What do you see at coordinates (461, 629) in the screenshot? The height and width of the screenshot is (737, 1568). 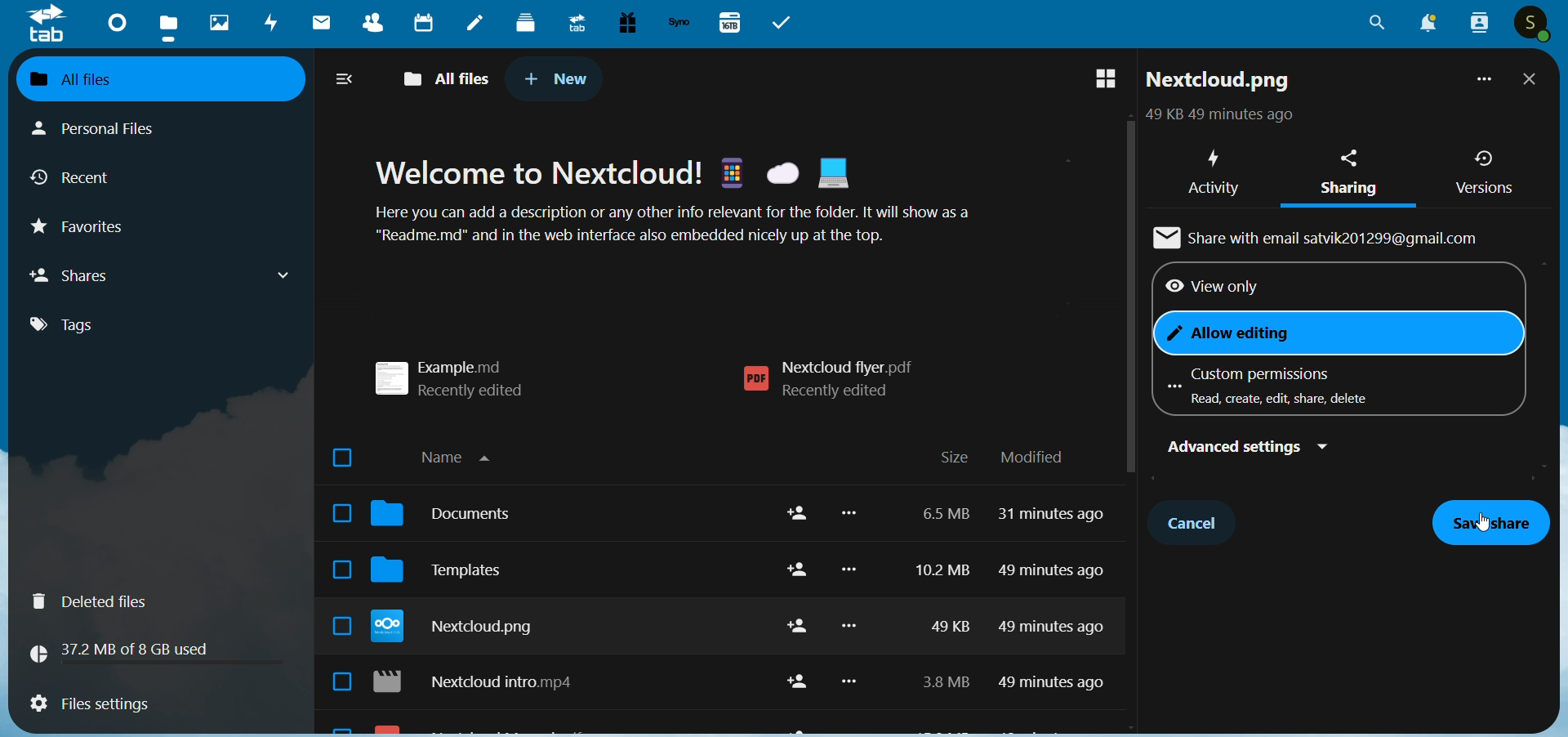 I see `nextcloud png` at bounding box center [461, 629].